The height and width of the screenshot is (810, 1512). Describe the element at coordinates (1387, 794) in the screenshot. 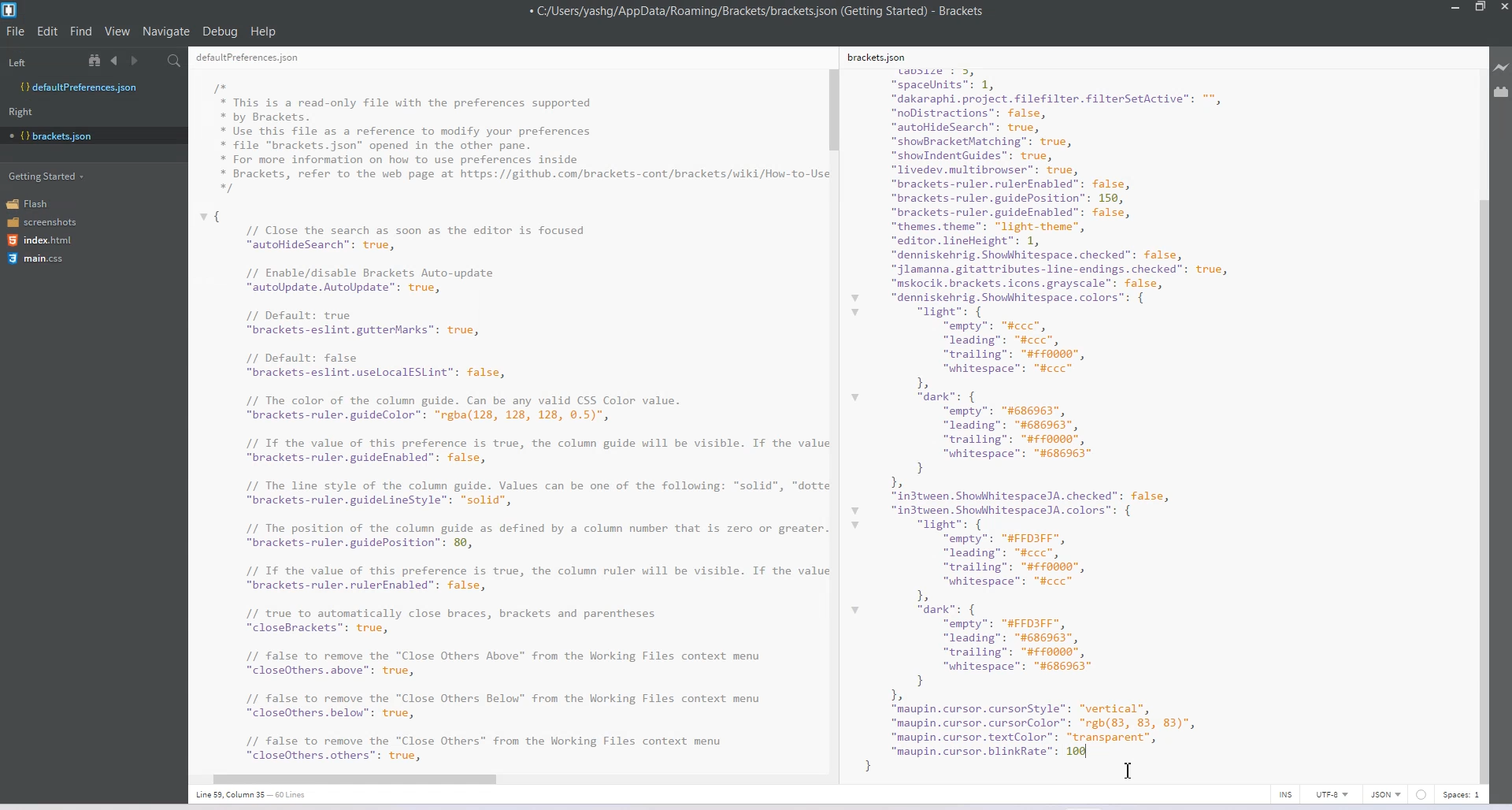

I see `JSON` at that location.